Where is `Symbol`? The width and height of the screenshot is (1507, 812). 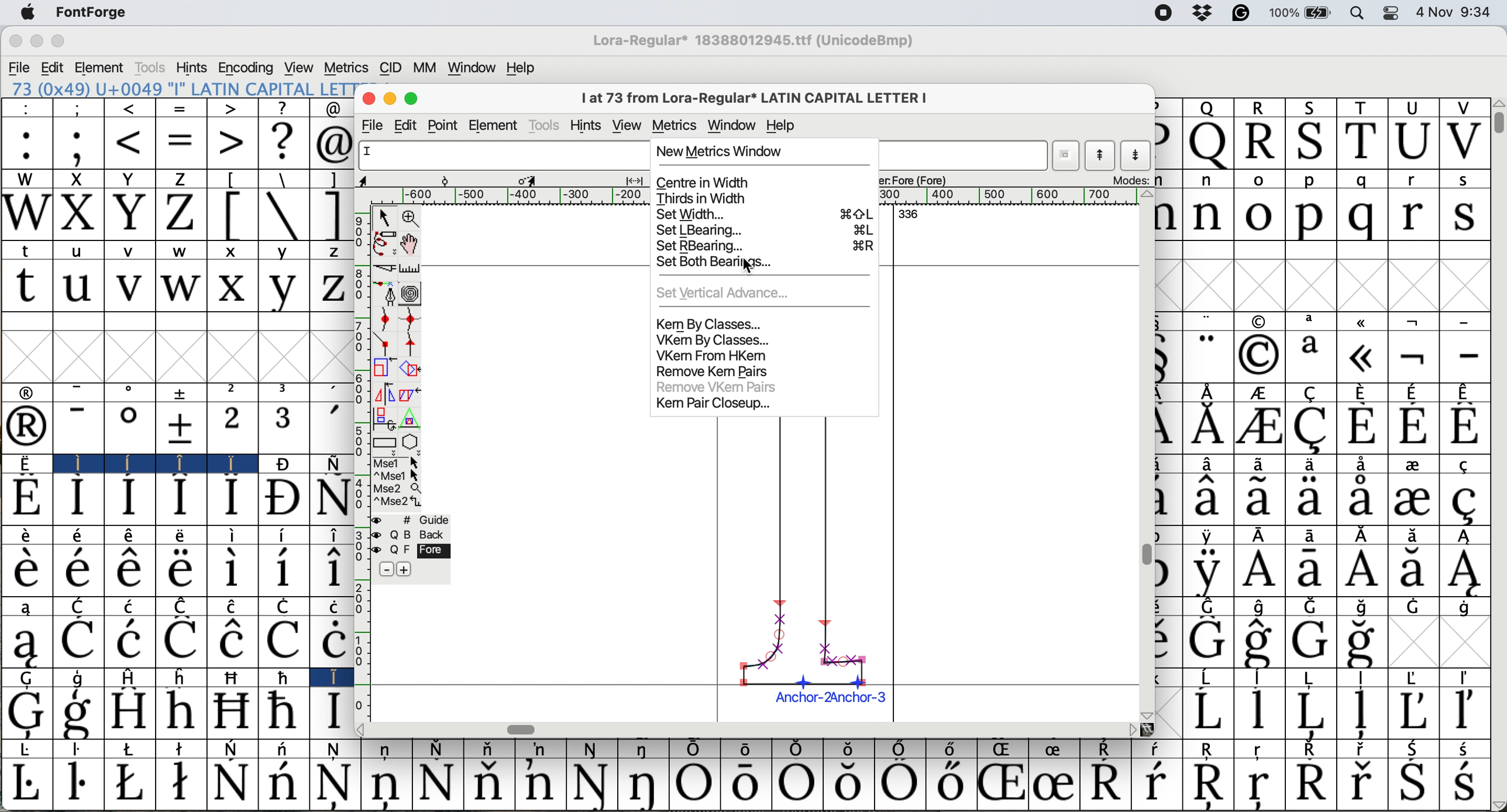 Symbol is located at coordinates (793, 785).